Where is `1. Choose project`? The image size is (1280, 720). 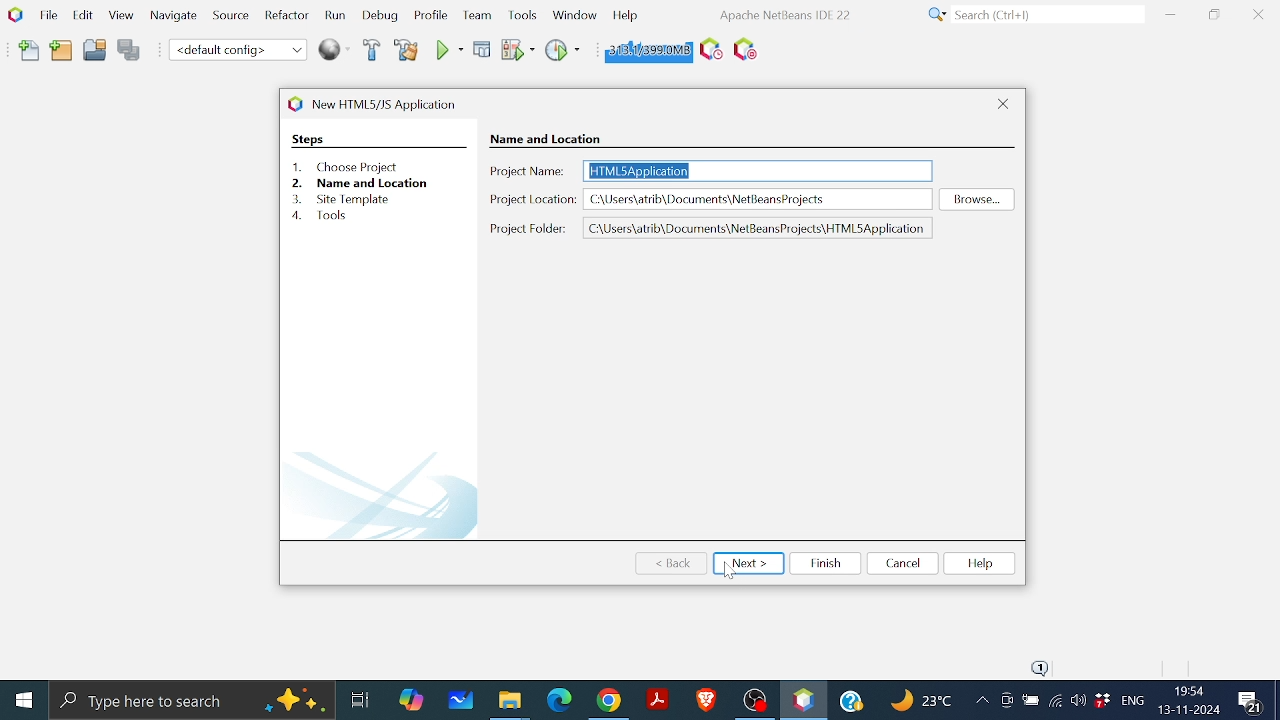
1. Choose project is located at coordinates (340, 167).